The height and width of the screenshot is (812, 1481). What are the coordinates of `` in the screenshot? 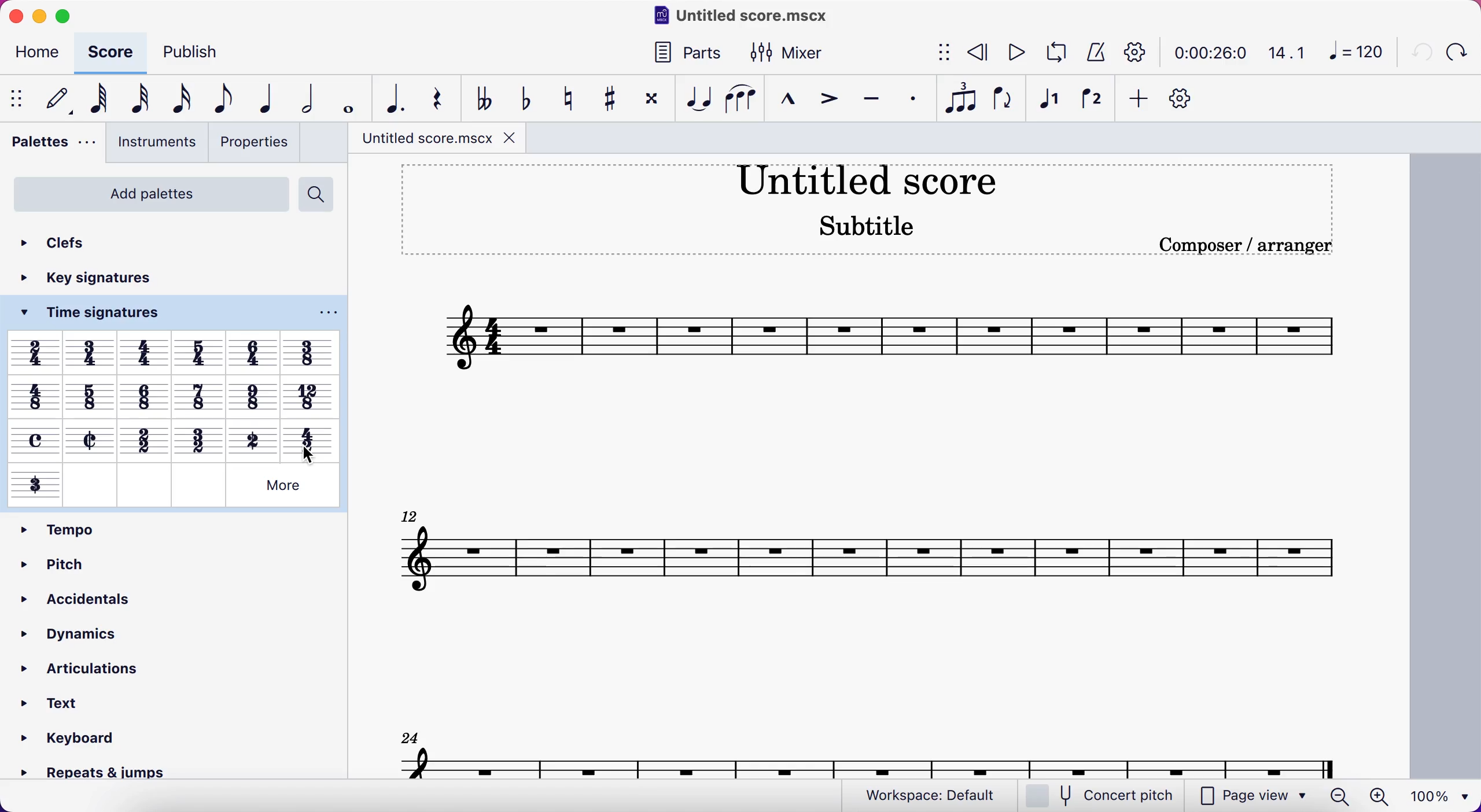 It's located at (143, 394).